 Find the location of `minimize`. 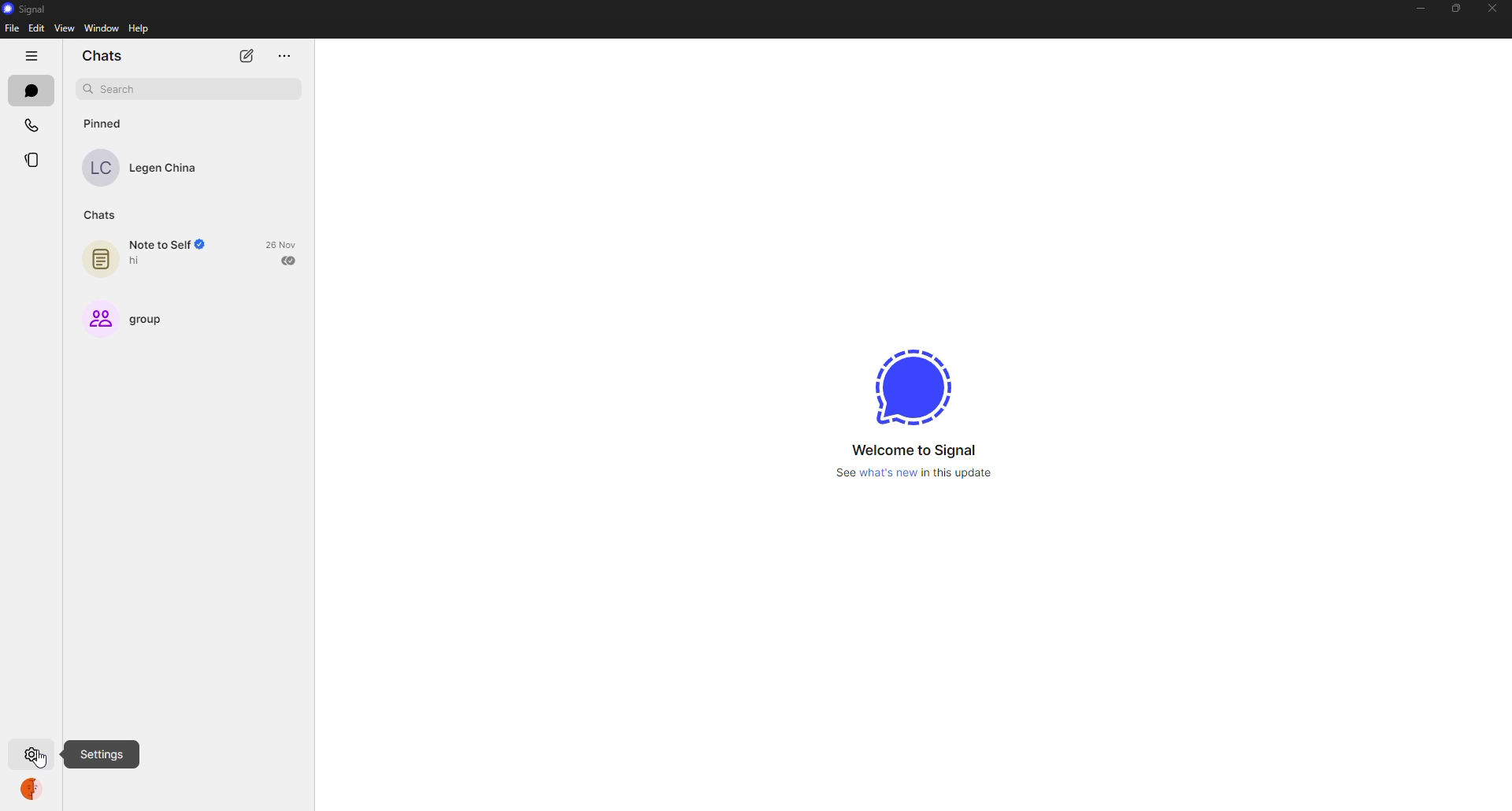

minimize is located at coordinates (1416, 9).